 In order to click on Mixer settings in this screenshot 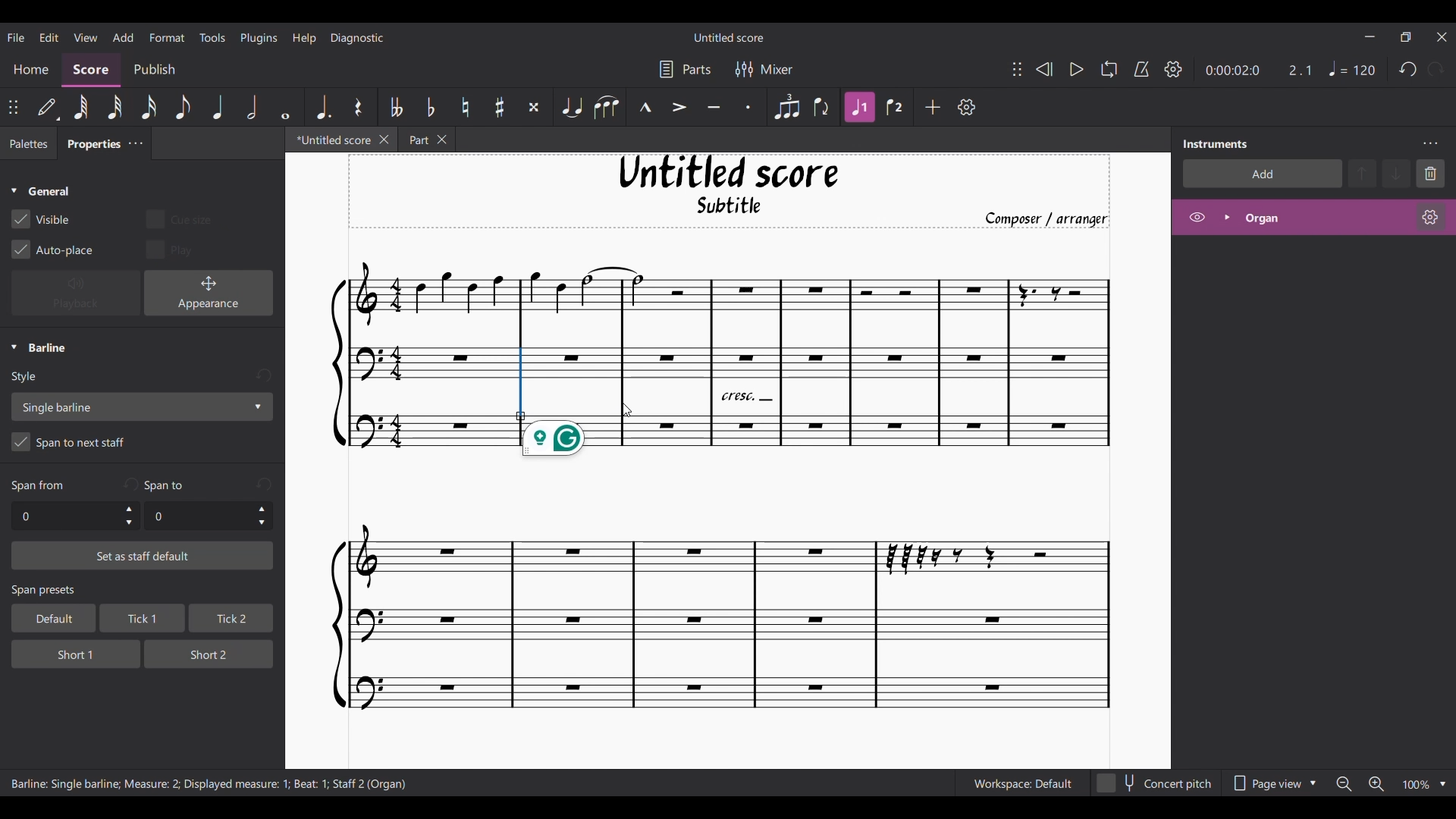, I will do `click(764, 69)`.